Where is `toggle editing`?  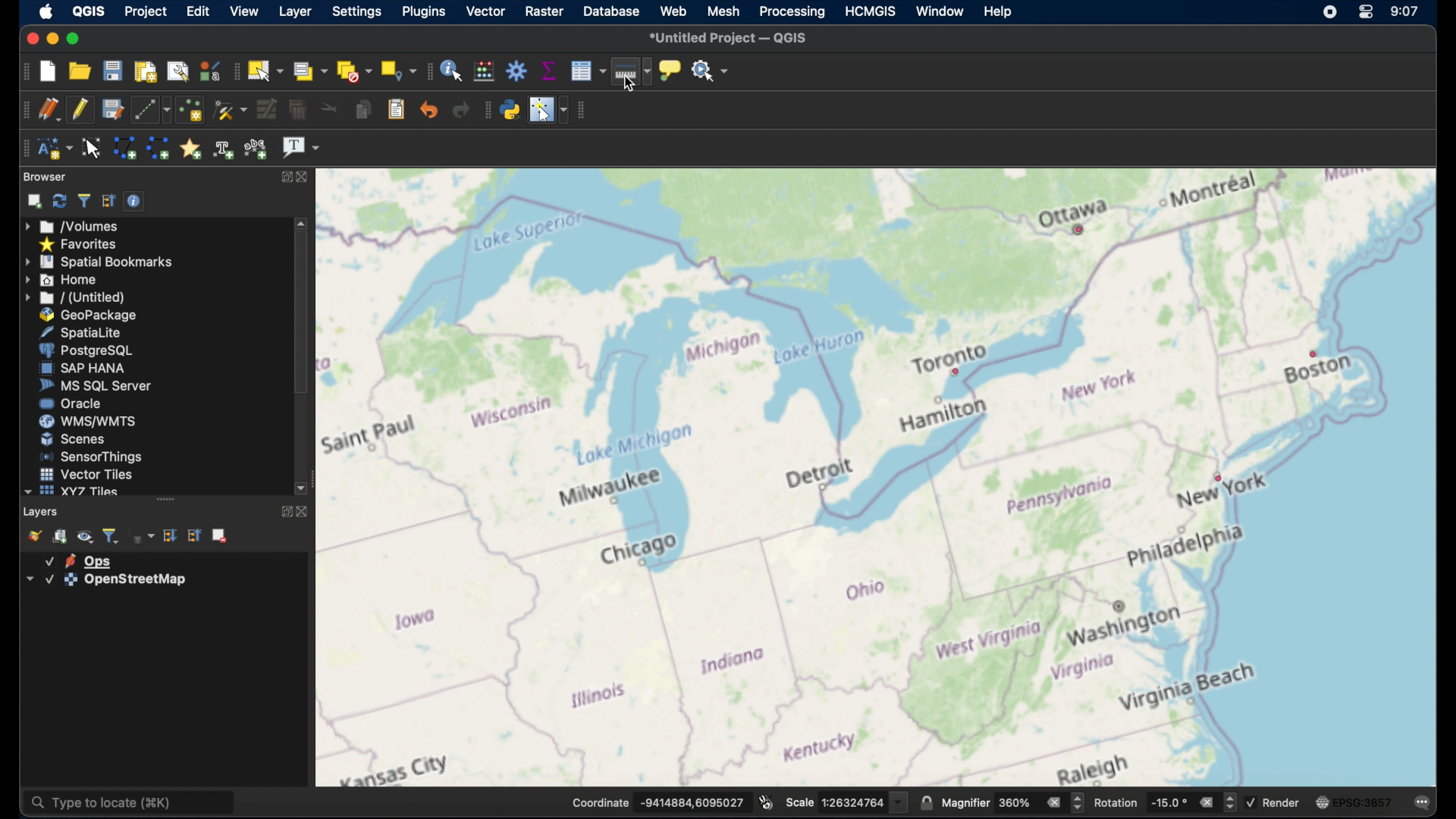 toggle editing is located at coordinates (80, 110).